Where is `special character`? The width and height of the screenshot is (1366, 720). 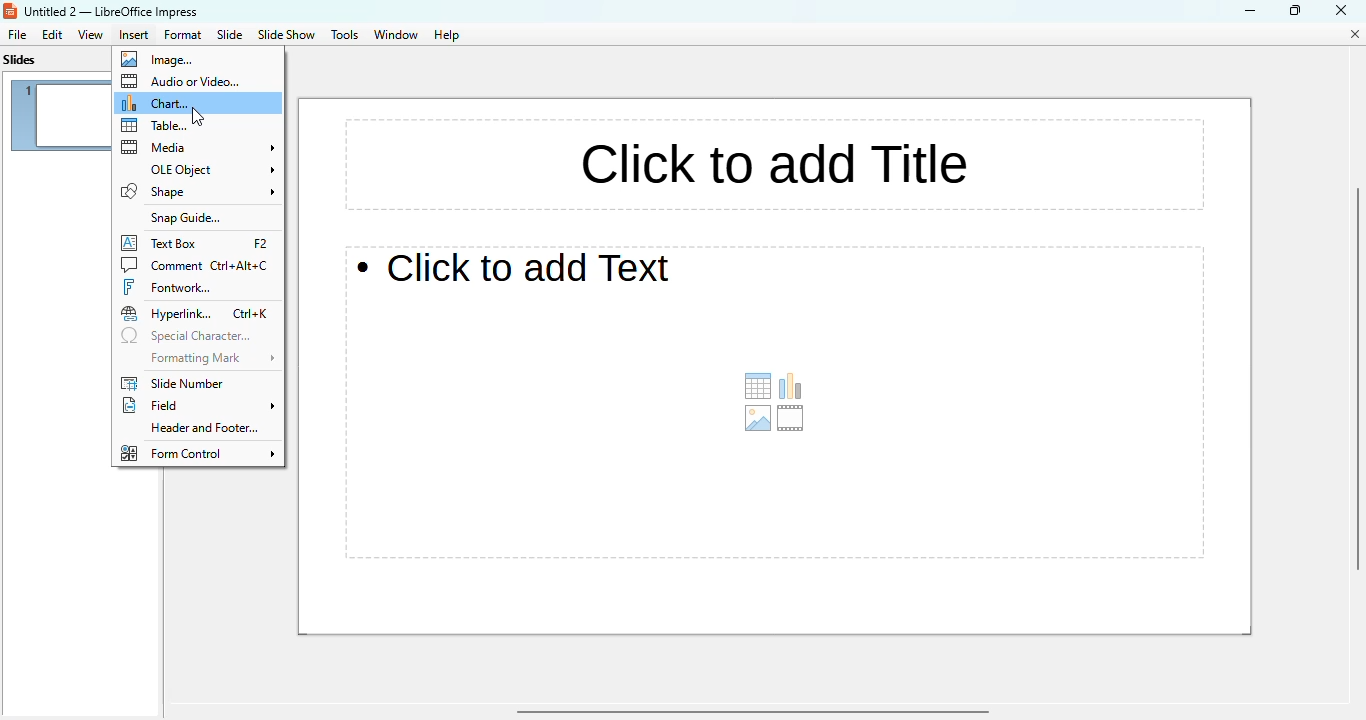
special character is located at coordinates (186, 335).